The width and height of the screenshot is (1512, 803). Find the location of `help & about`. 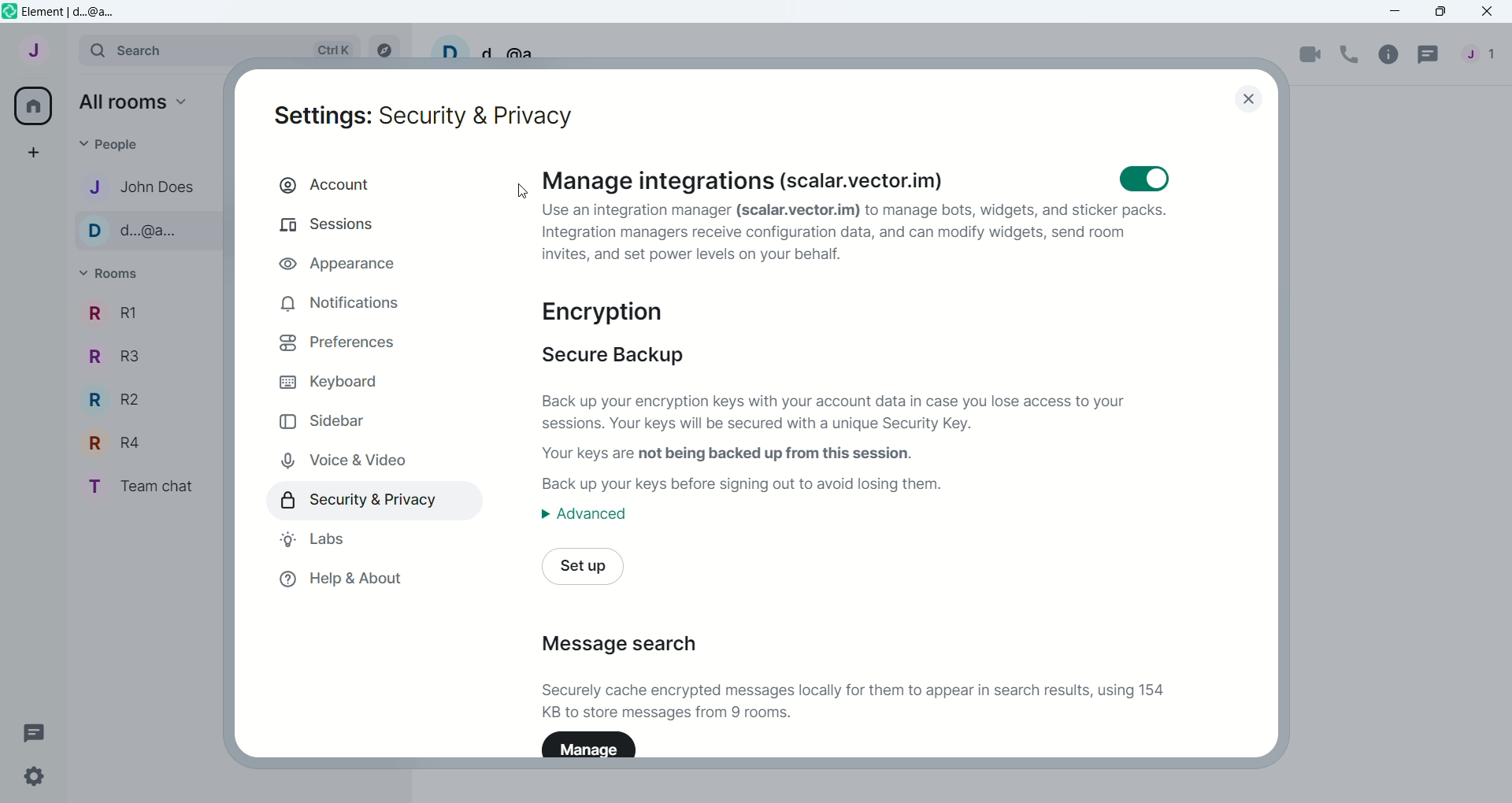

help & about is located at coordinates (344, 580).